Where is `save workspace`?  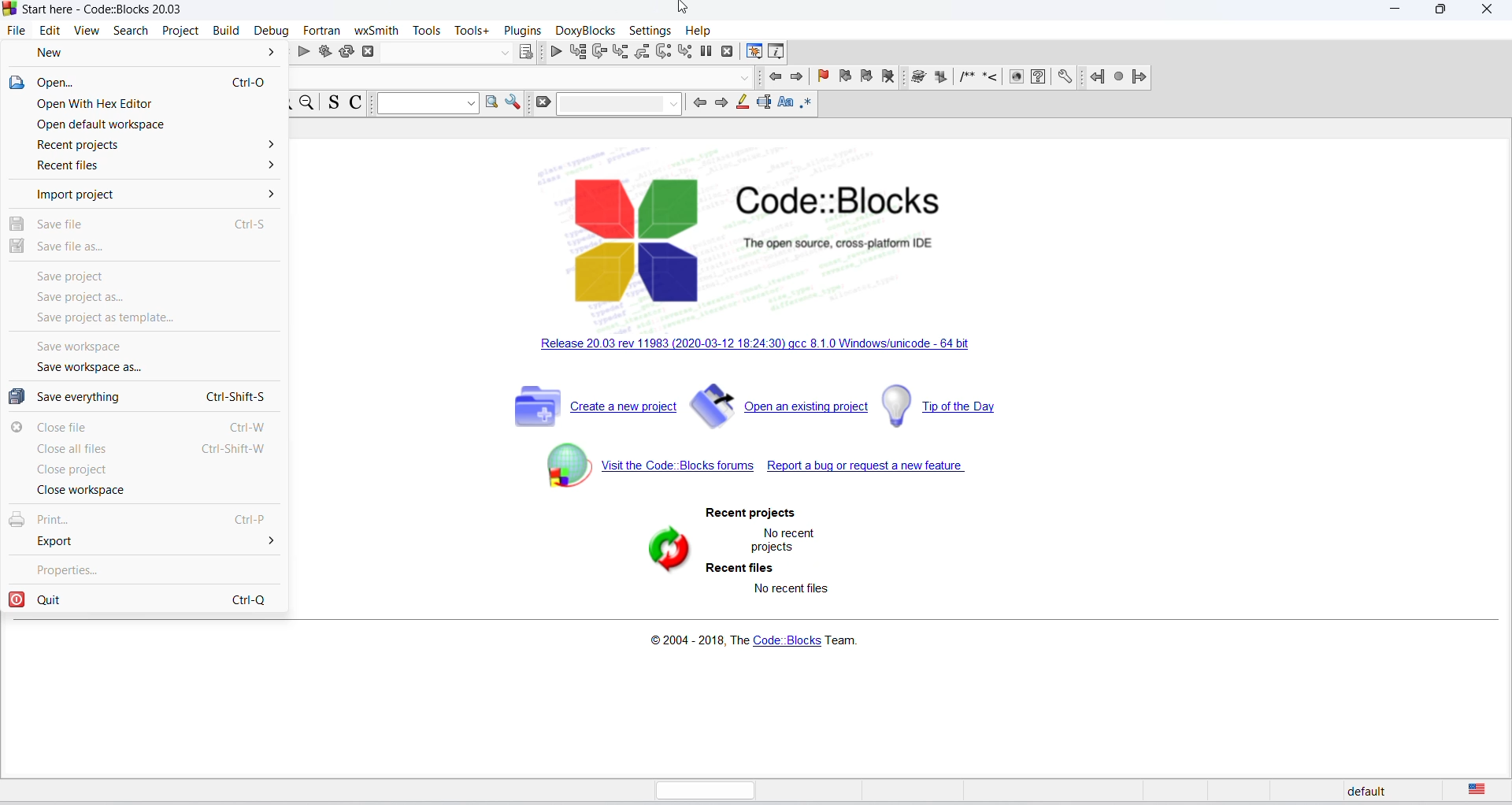 save workspace is located at coordinates (143, 348).